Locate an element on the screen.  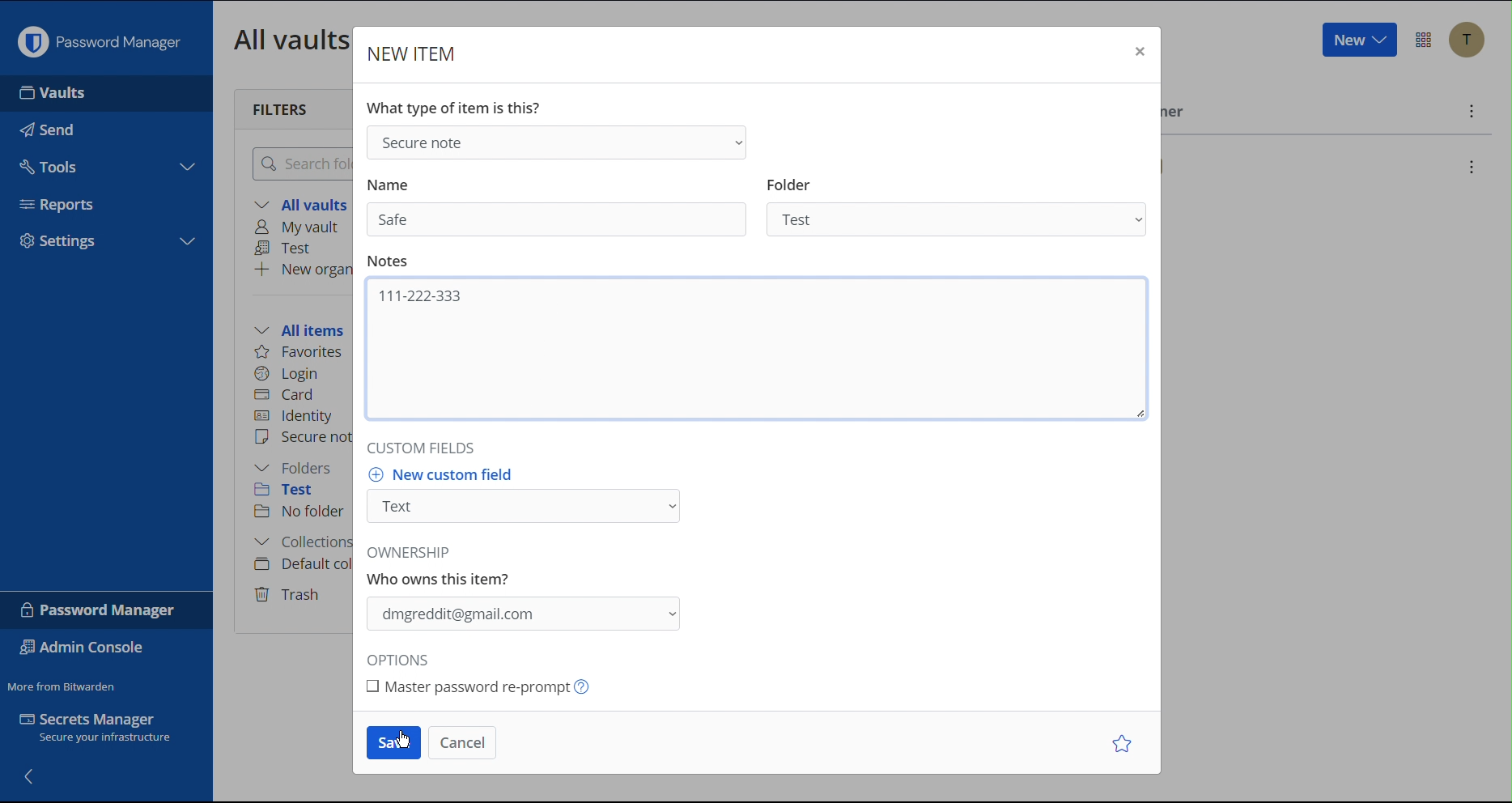
Collections is located at coordinates (299, 544).